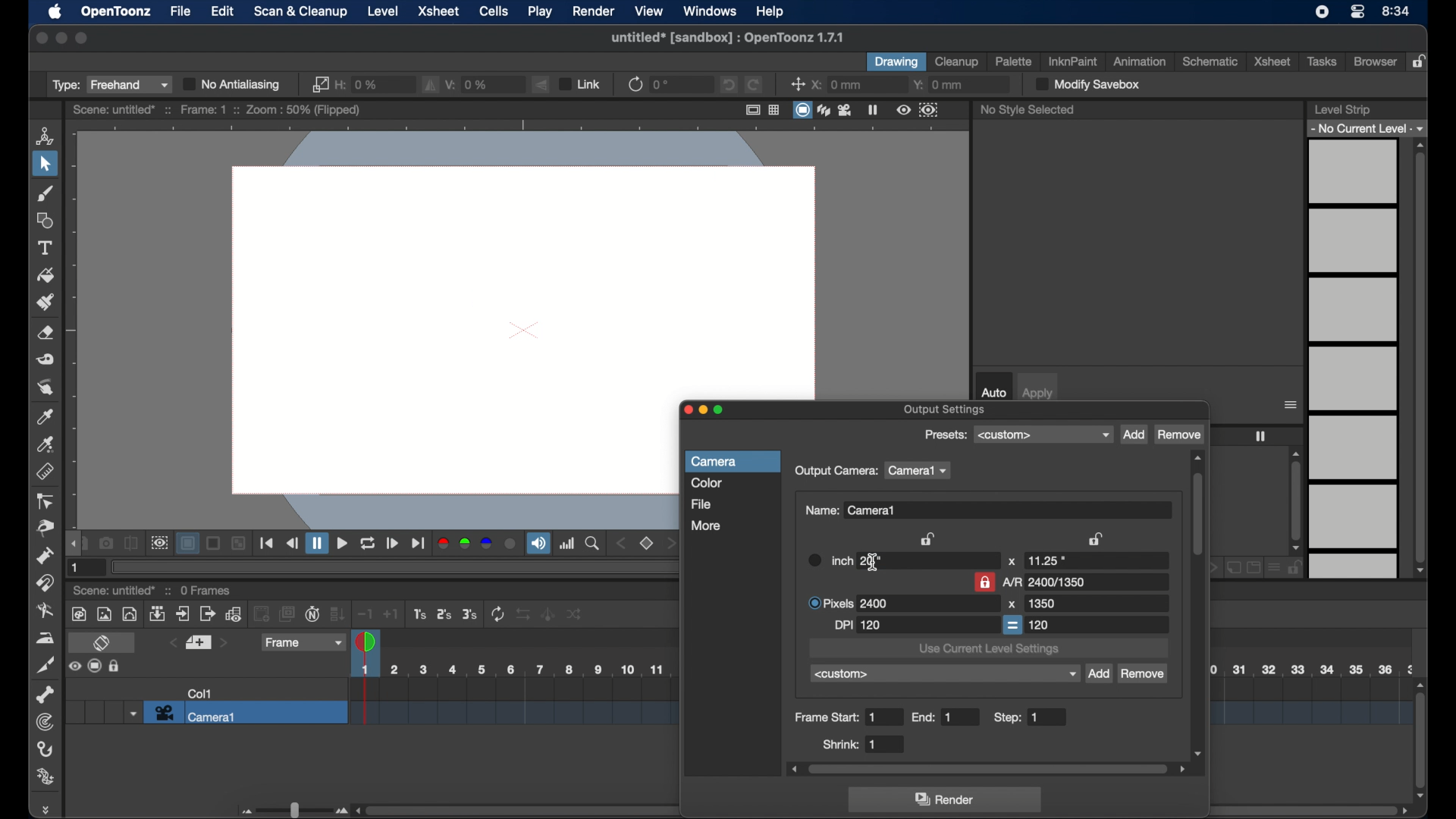 This screenshot has width=1456, height=819. I want to click on 1080, so click(1041, 603).